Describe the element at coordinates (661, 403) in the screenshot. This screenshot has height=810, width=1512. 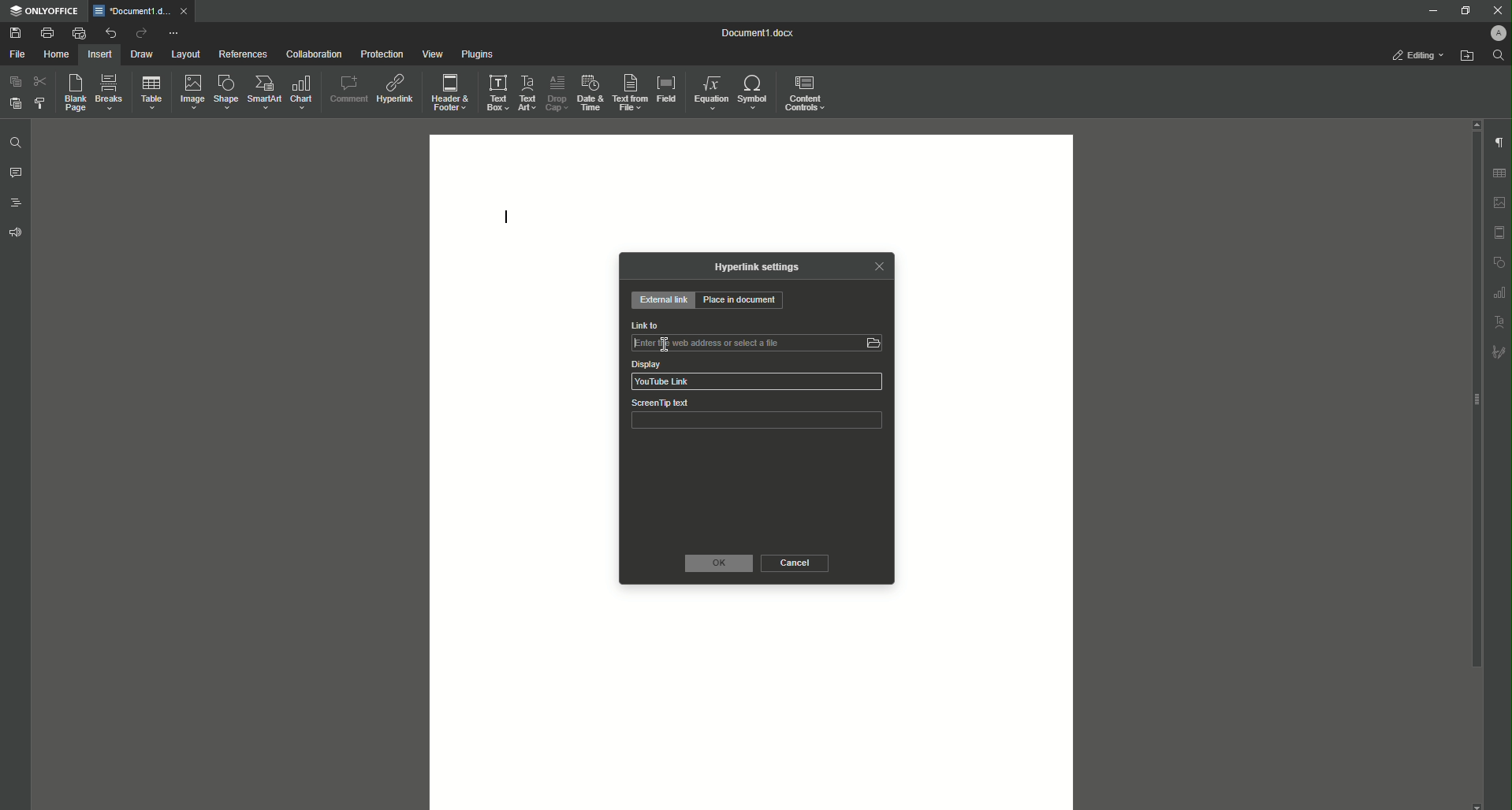
I see `ScreenTip text` at that location.